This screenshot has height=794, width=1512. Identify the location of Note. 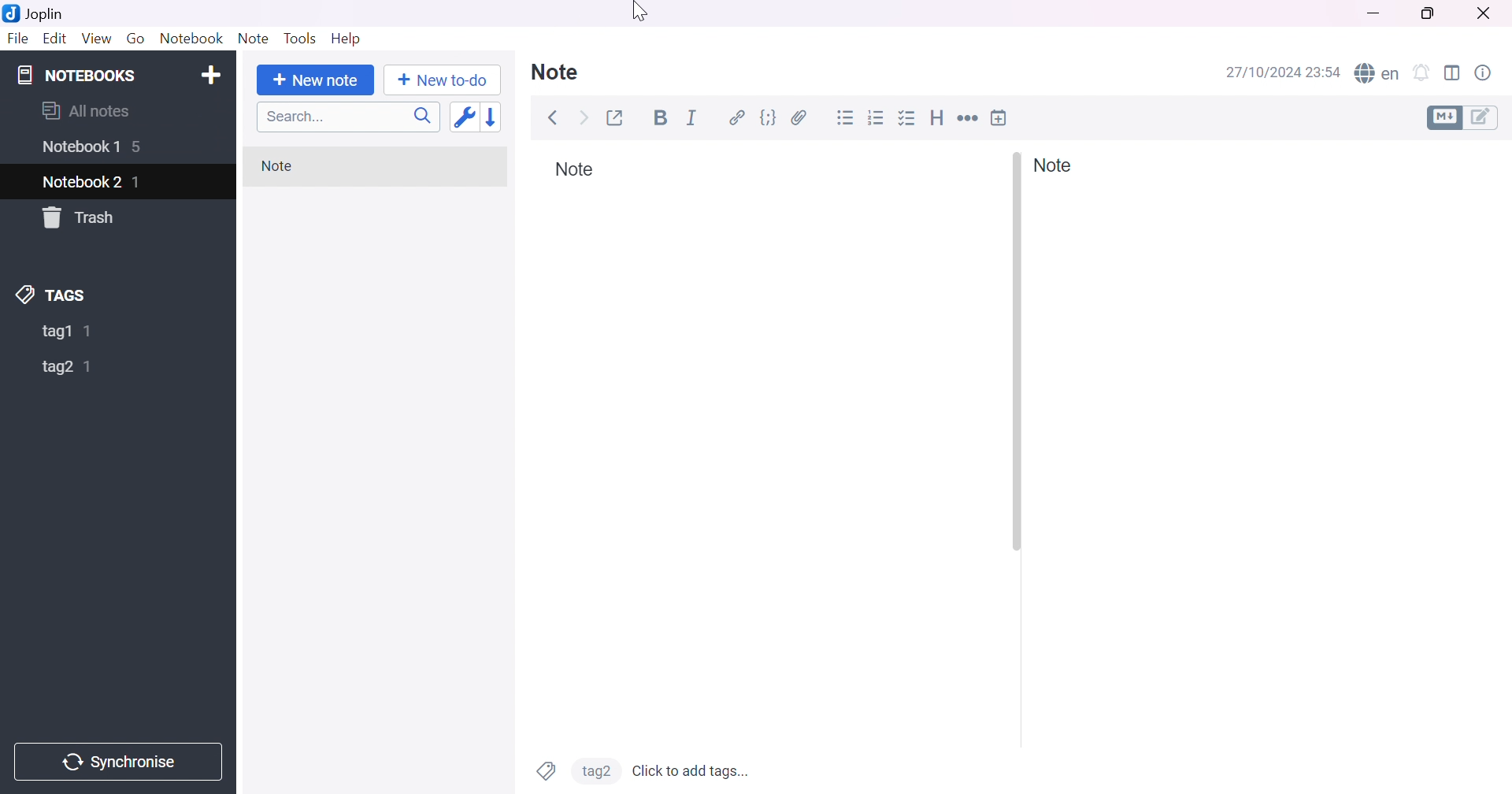
(577, 73).